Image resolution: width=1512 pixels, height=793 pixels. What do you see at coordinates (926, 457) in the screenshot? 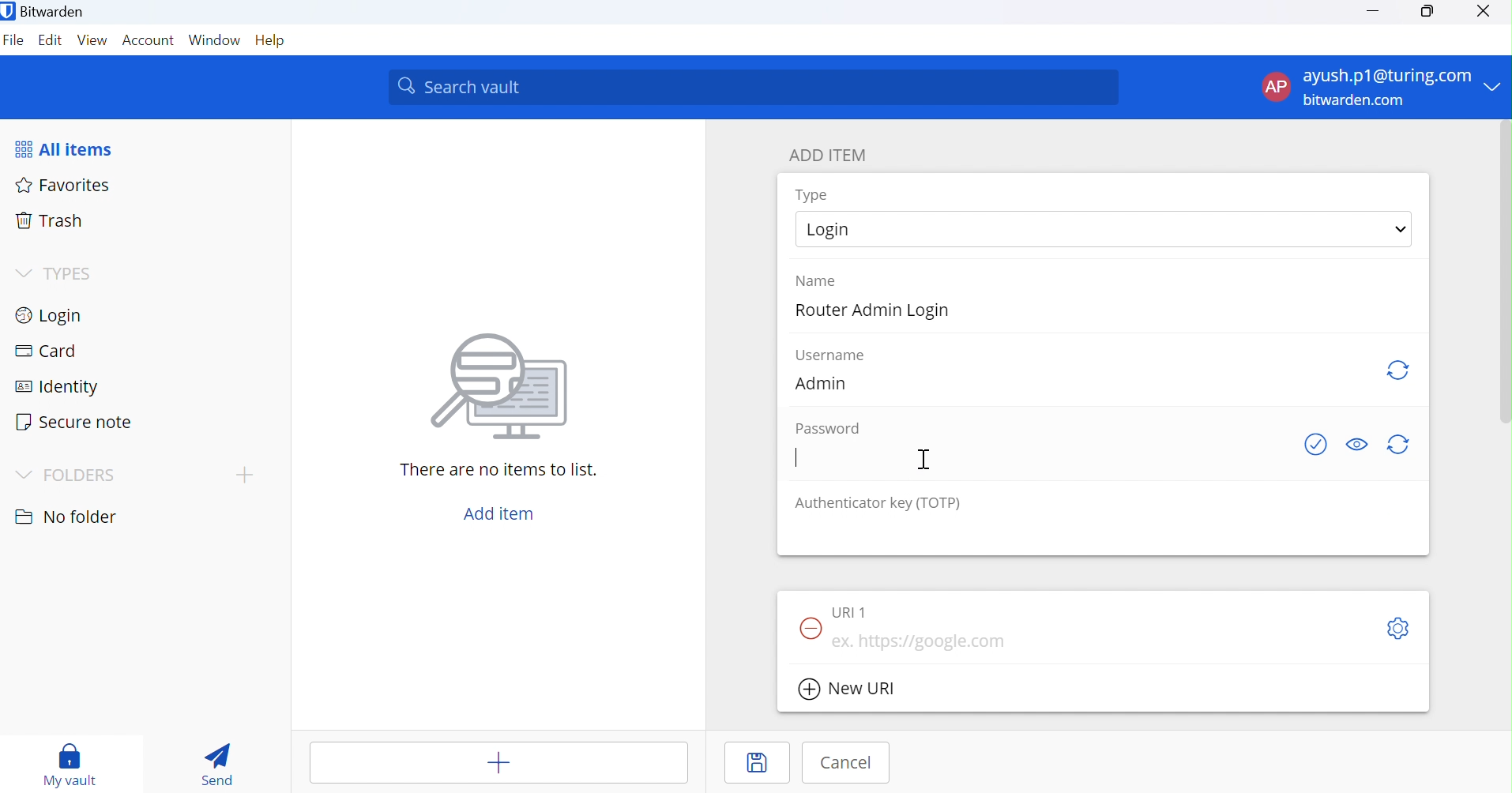
I see `Cursor` at bounding box center [926, 457].